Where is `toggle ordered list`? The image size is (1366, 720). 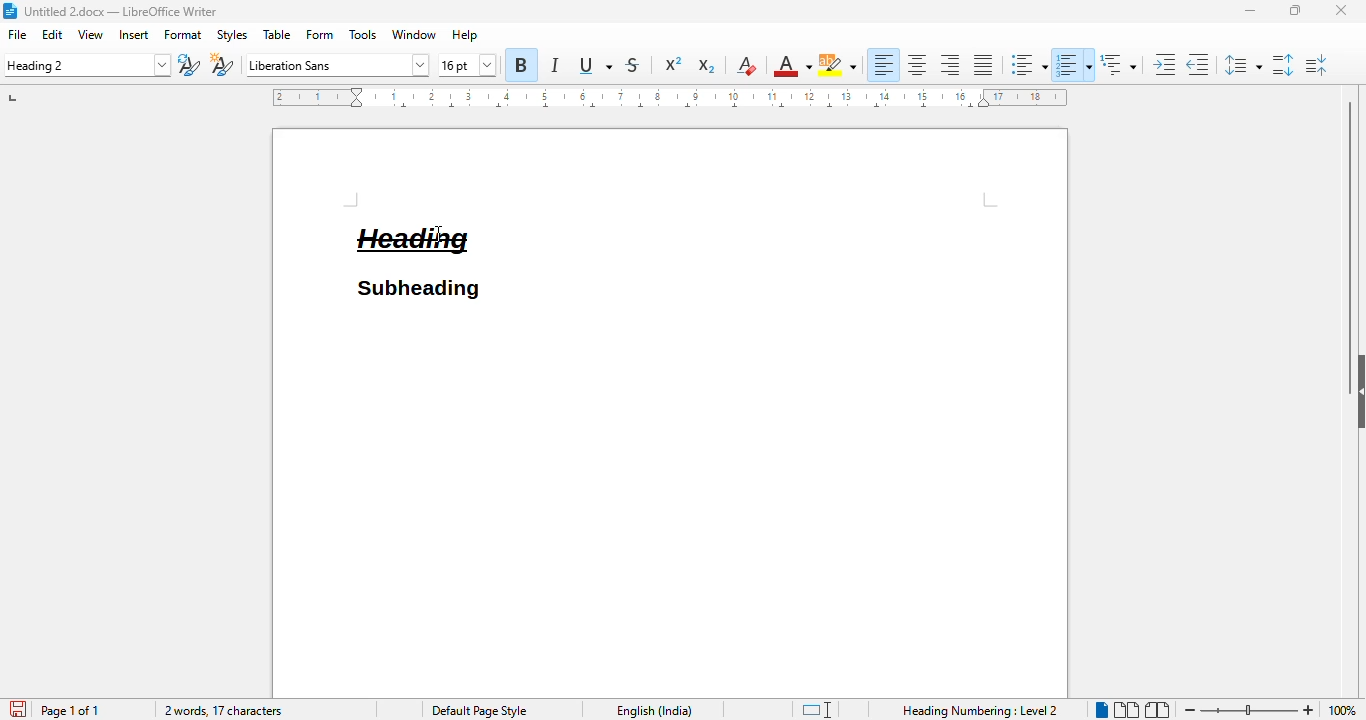
toggle ordered list is located at coordinates (1074, 64).